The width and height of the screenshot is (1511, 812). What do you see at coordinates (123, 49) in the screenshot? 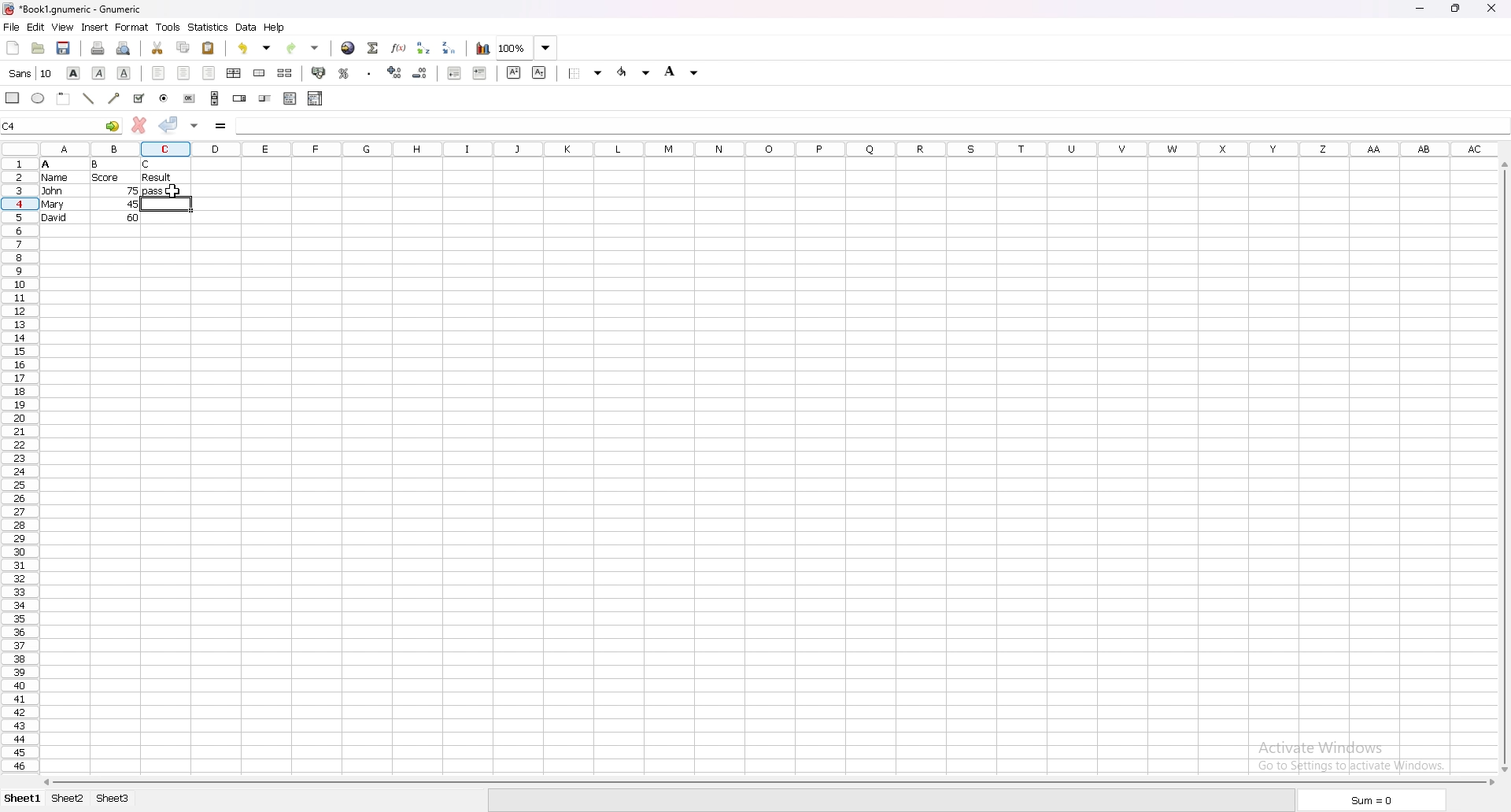
I see `print preview` at bounding box center [123, 49].